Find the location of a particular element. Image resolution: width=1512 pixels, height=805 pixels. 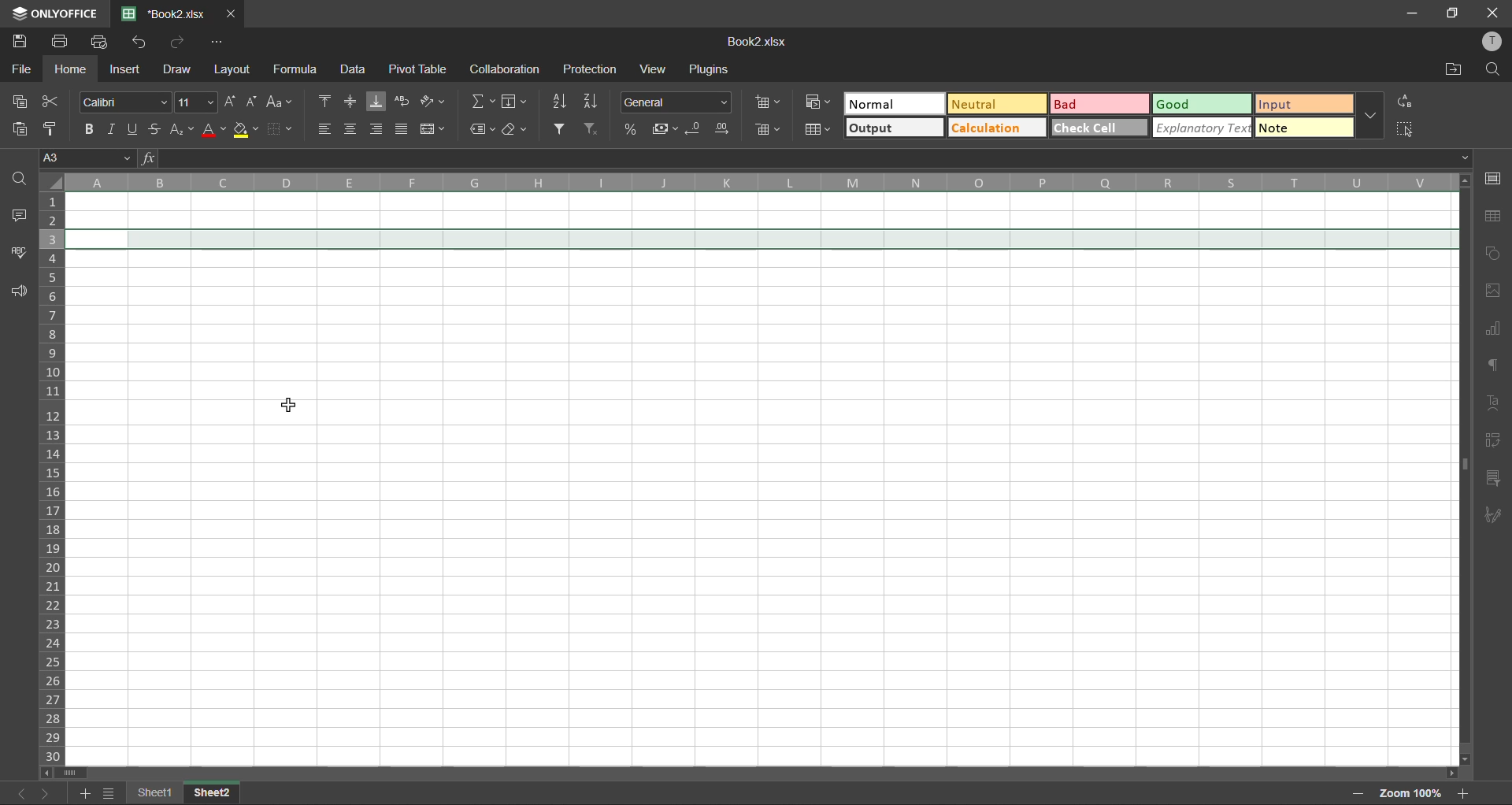

decrease decimal is located at coordinates (695, 128).